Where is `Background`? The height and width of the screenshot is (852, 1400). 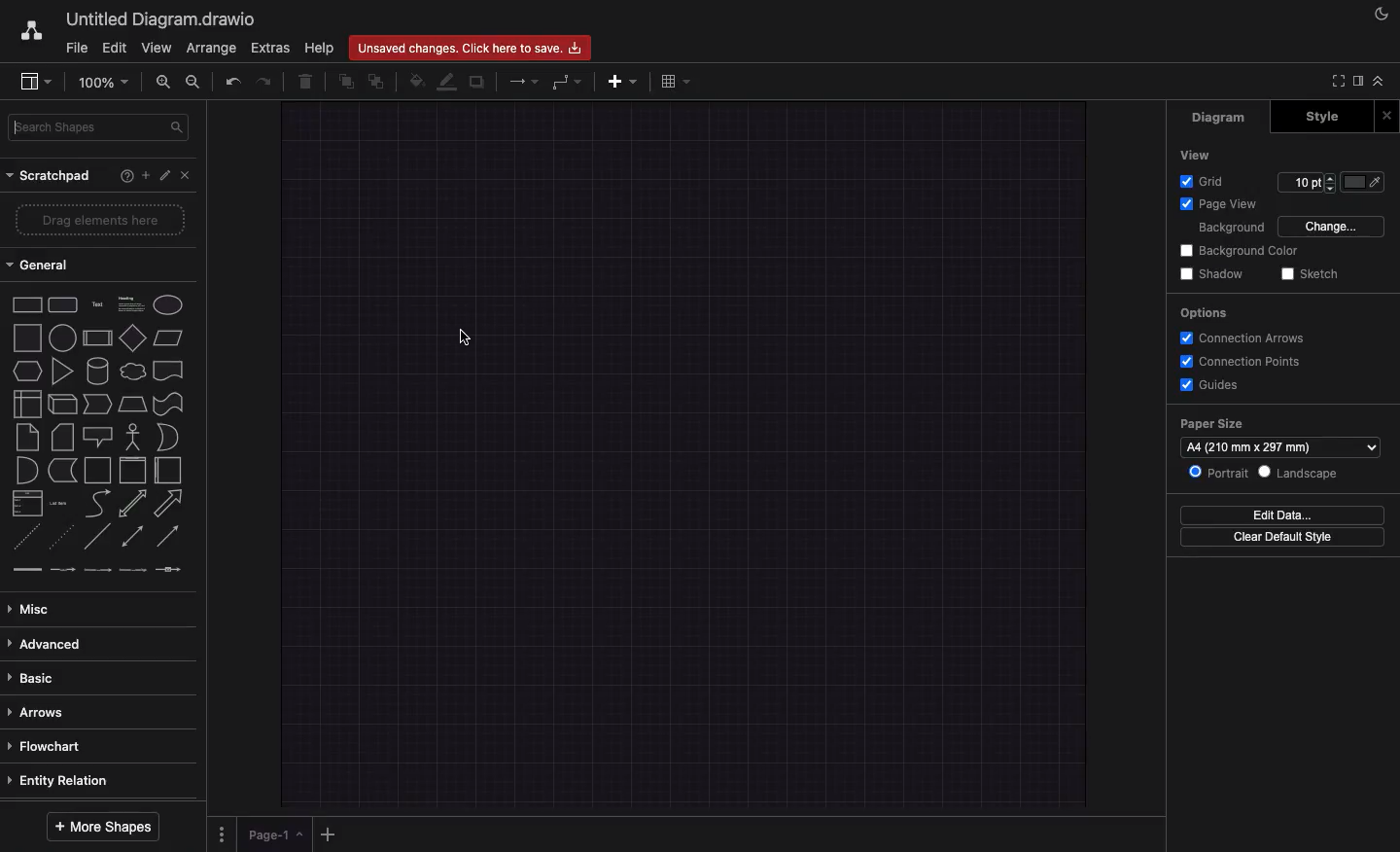
Background is located at coordinates (1230, 228).